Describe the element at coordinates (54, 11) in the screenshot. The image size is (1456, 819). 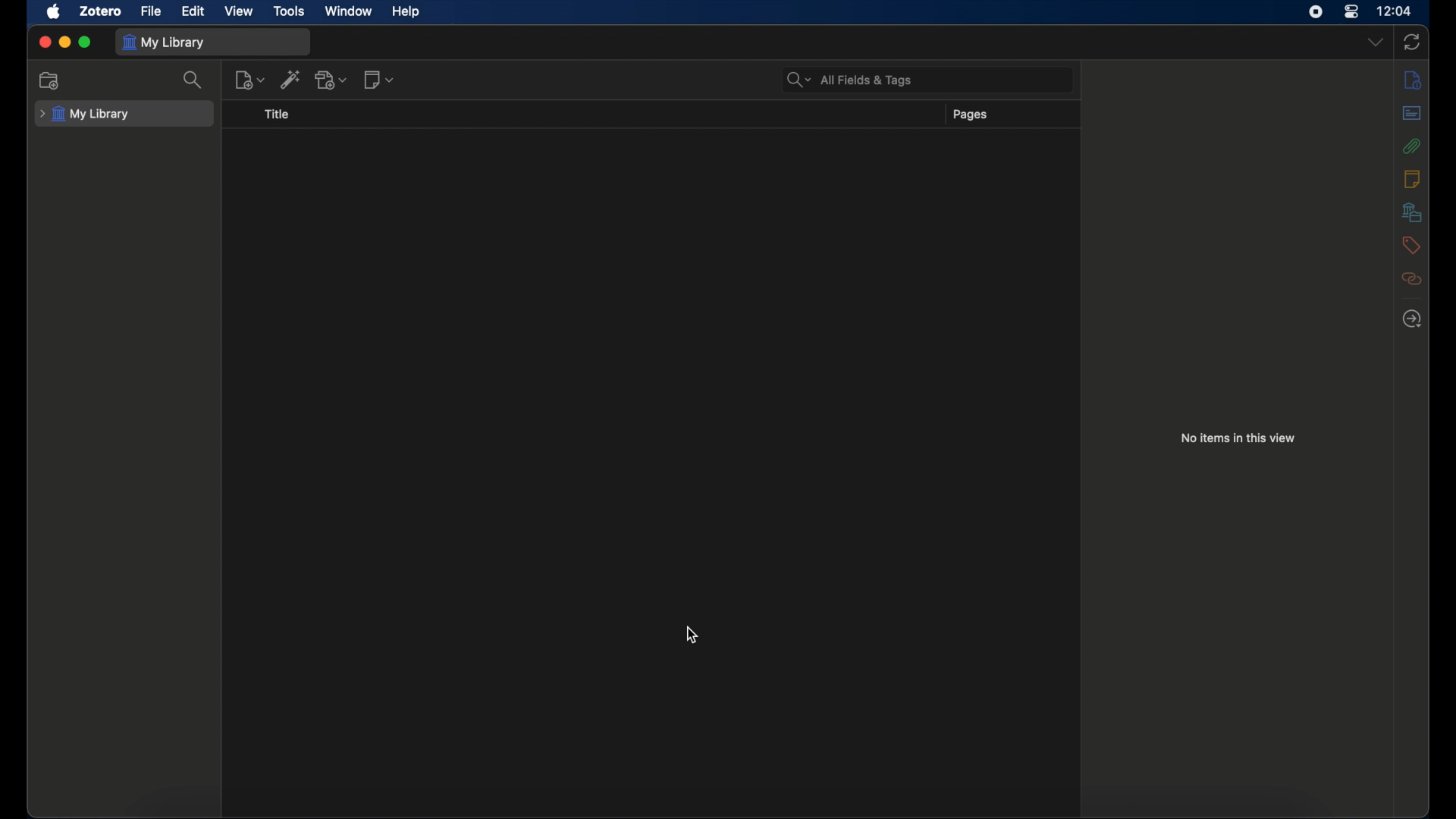
I see `apple ` at that location.